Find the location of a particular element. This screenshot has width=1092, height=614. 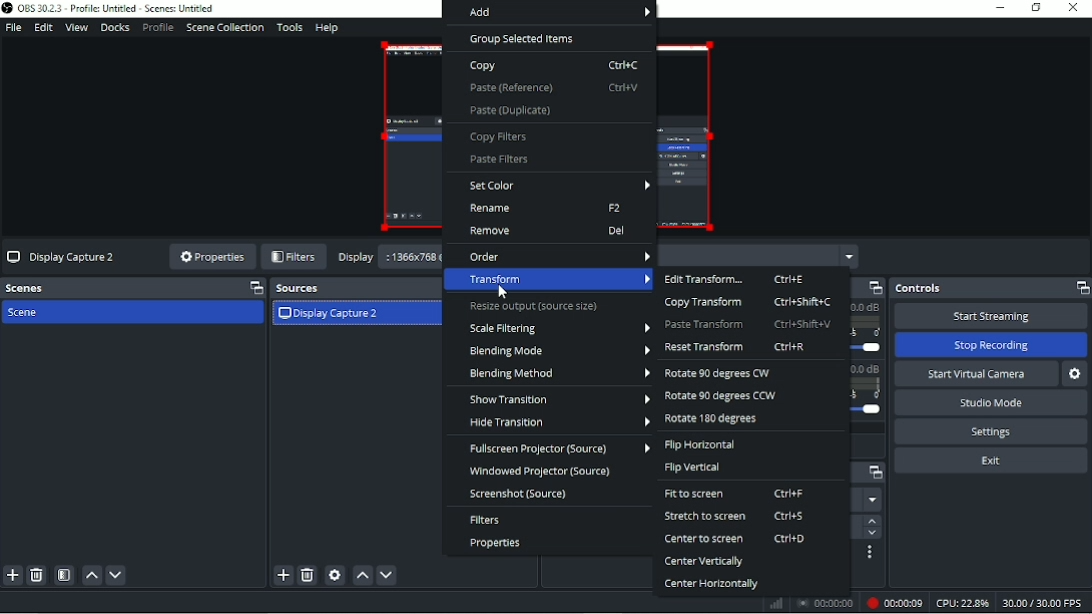

Stop recording is located at coordinates (990, 345).